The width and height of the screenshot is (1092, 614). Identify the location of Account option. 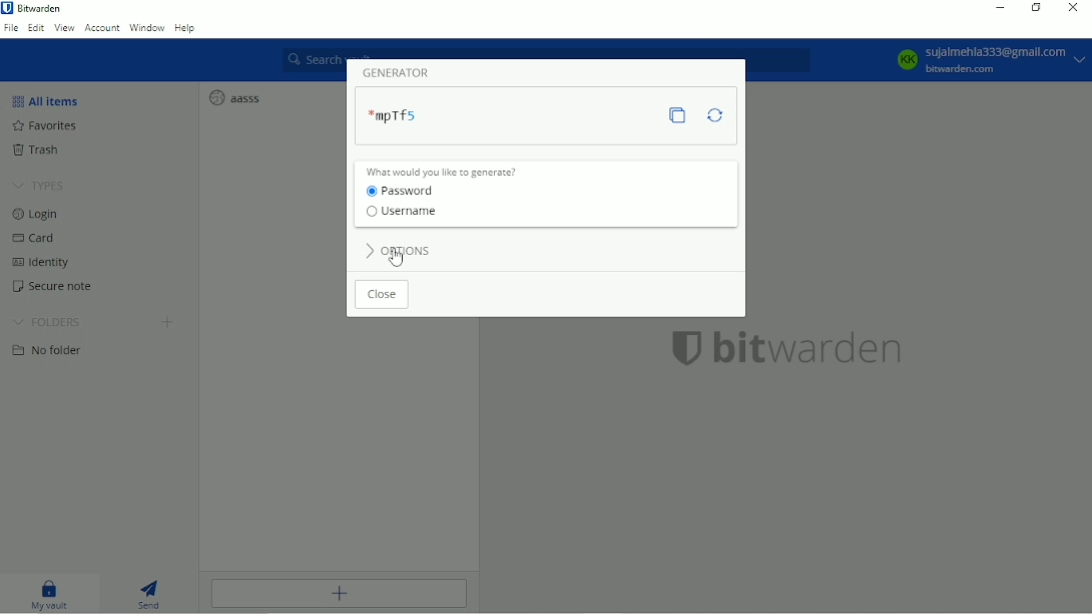
(988, 60).